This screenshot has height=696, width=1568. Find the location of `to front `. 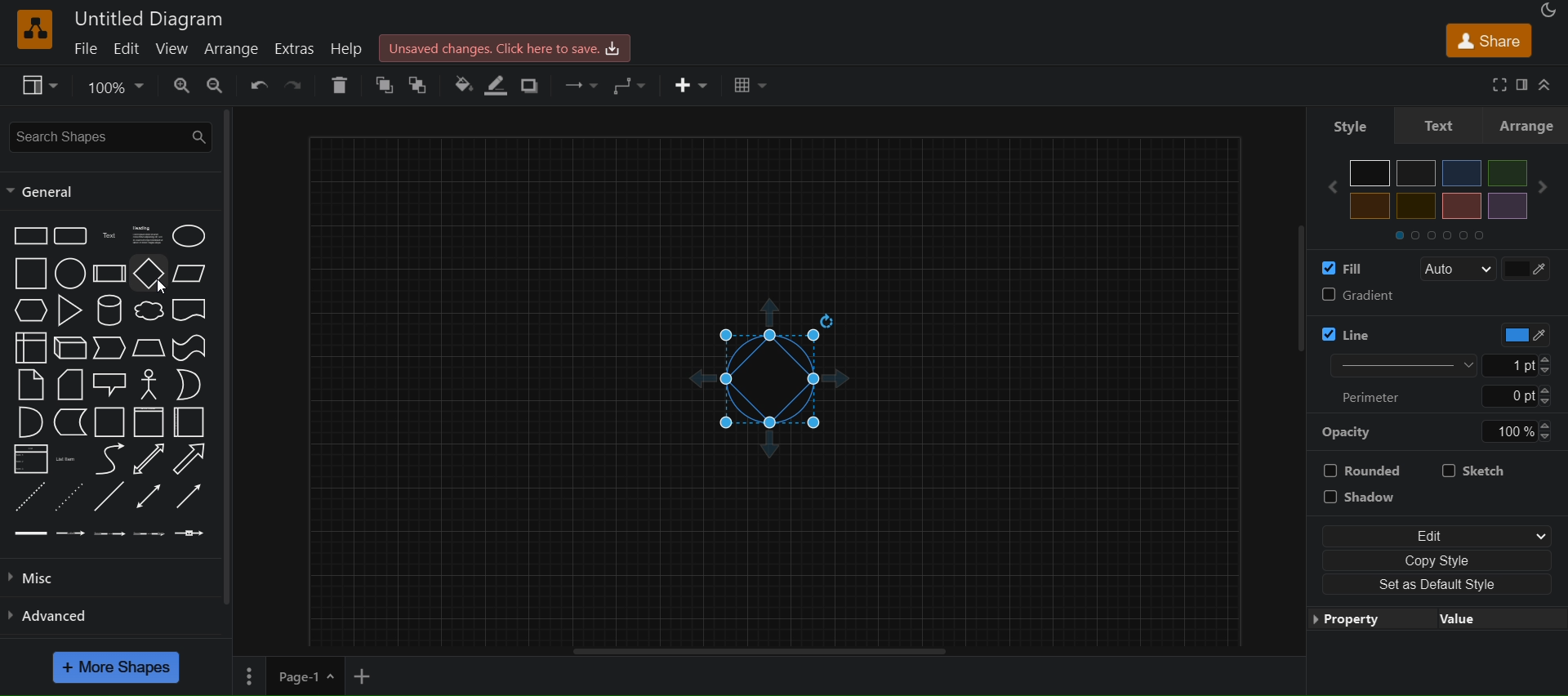

to front  is located at coordinates (419, 86).